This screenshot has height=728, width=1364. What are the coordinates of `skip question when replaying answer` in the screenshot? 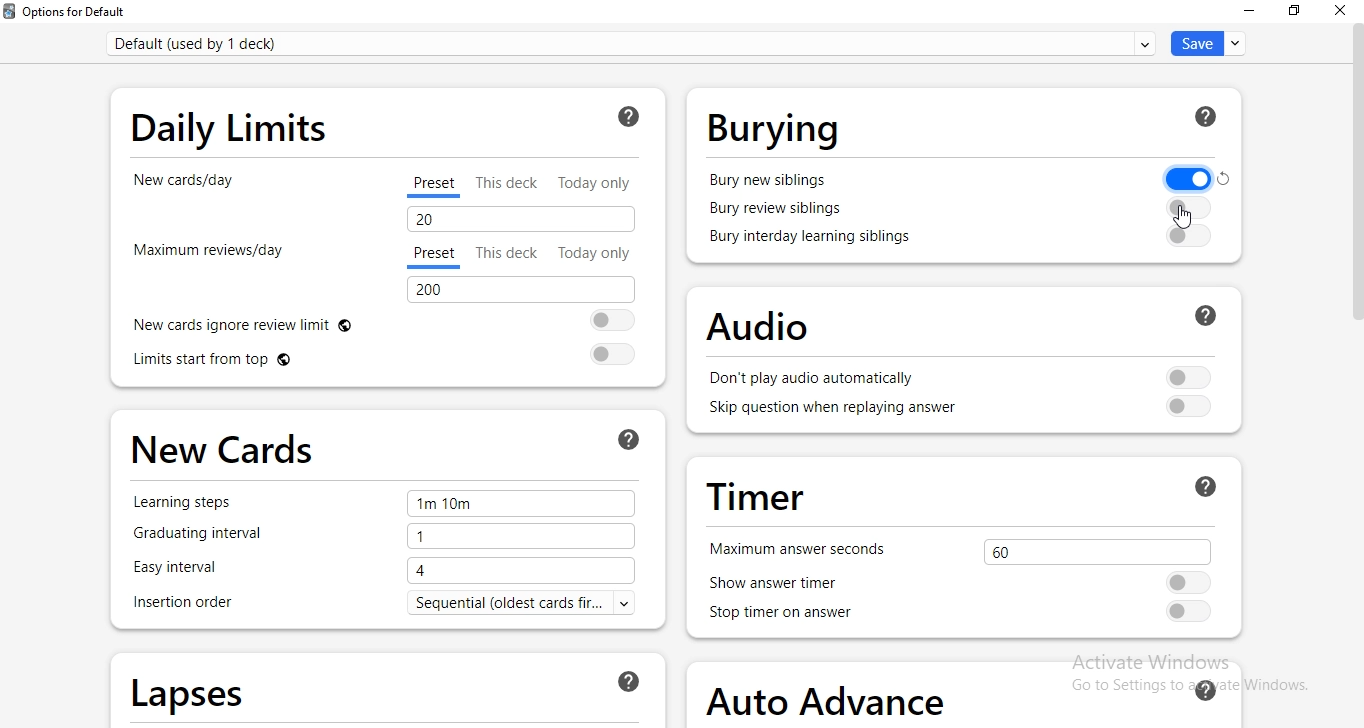 It's located at (824, 413).